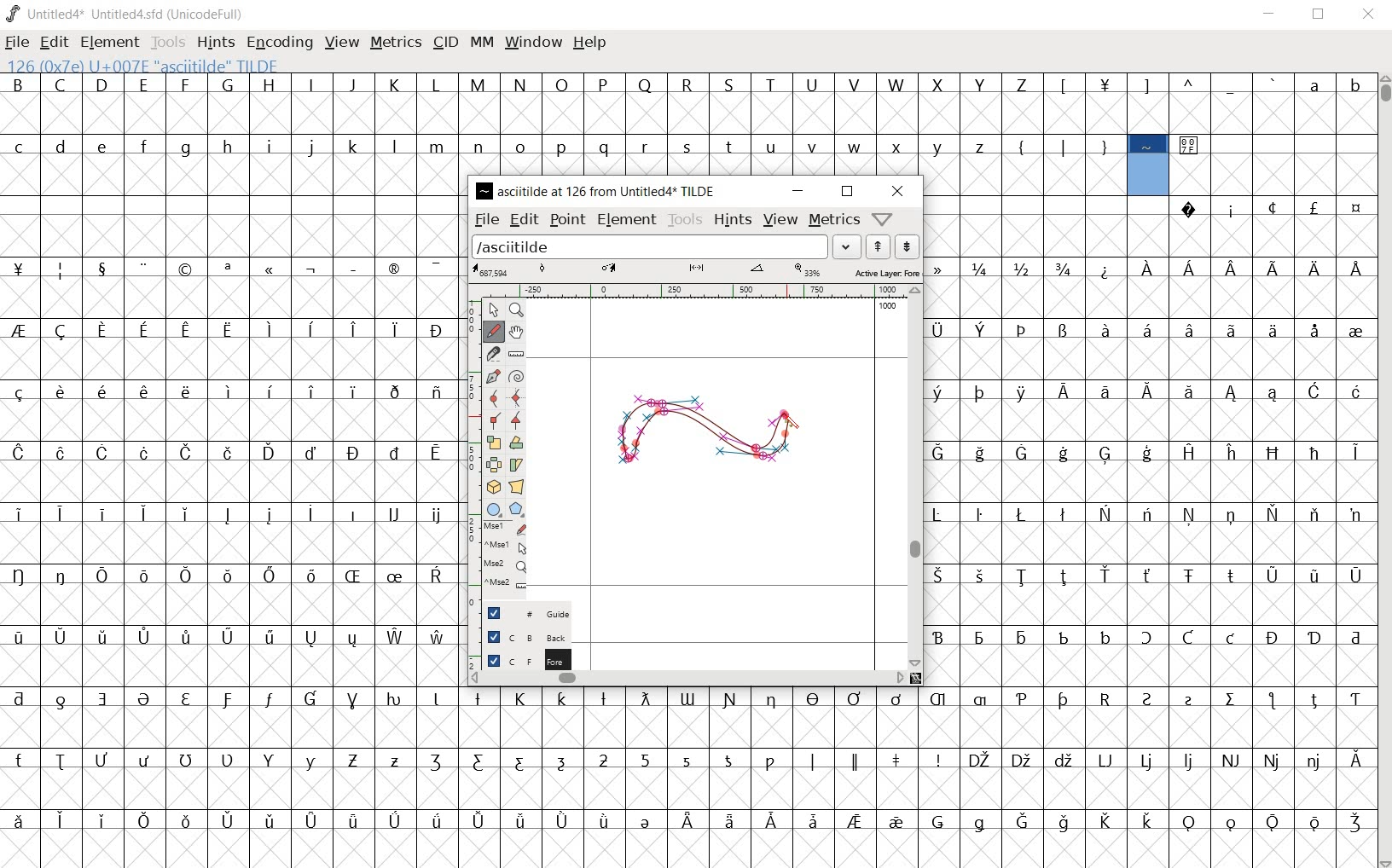 This screenshot has height=868, width=1392. I want to click on magnify, so click(519, 310).